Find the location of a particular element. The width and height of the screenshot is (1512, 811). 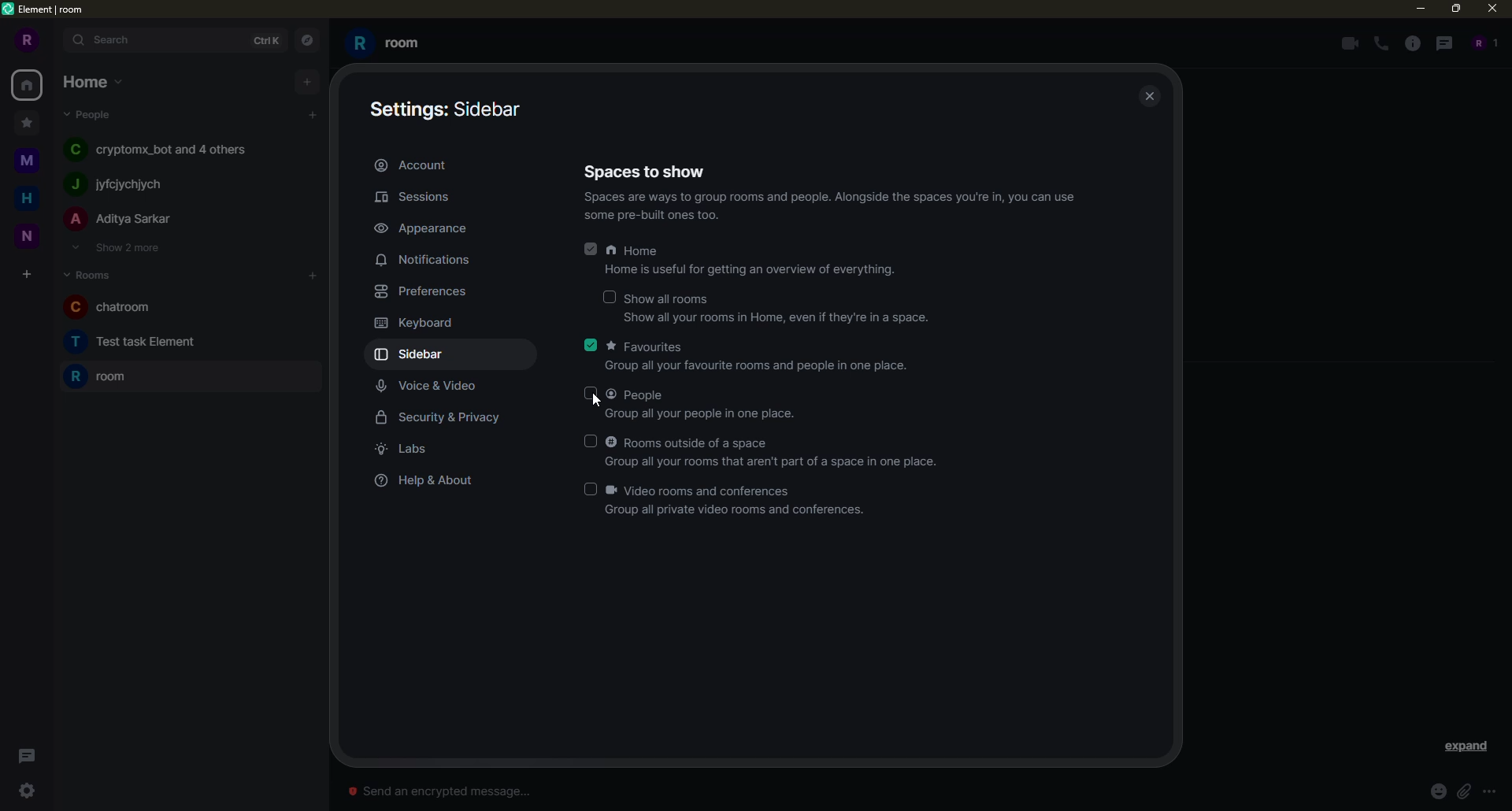

C  cryptomx bot and 4 others is located at coordinates (163, 150).